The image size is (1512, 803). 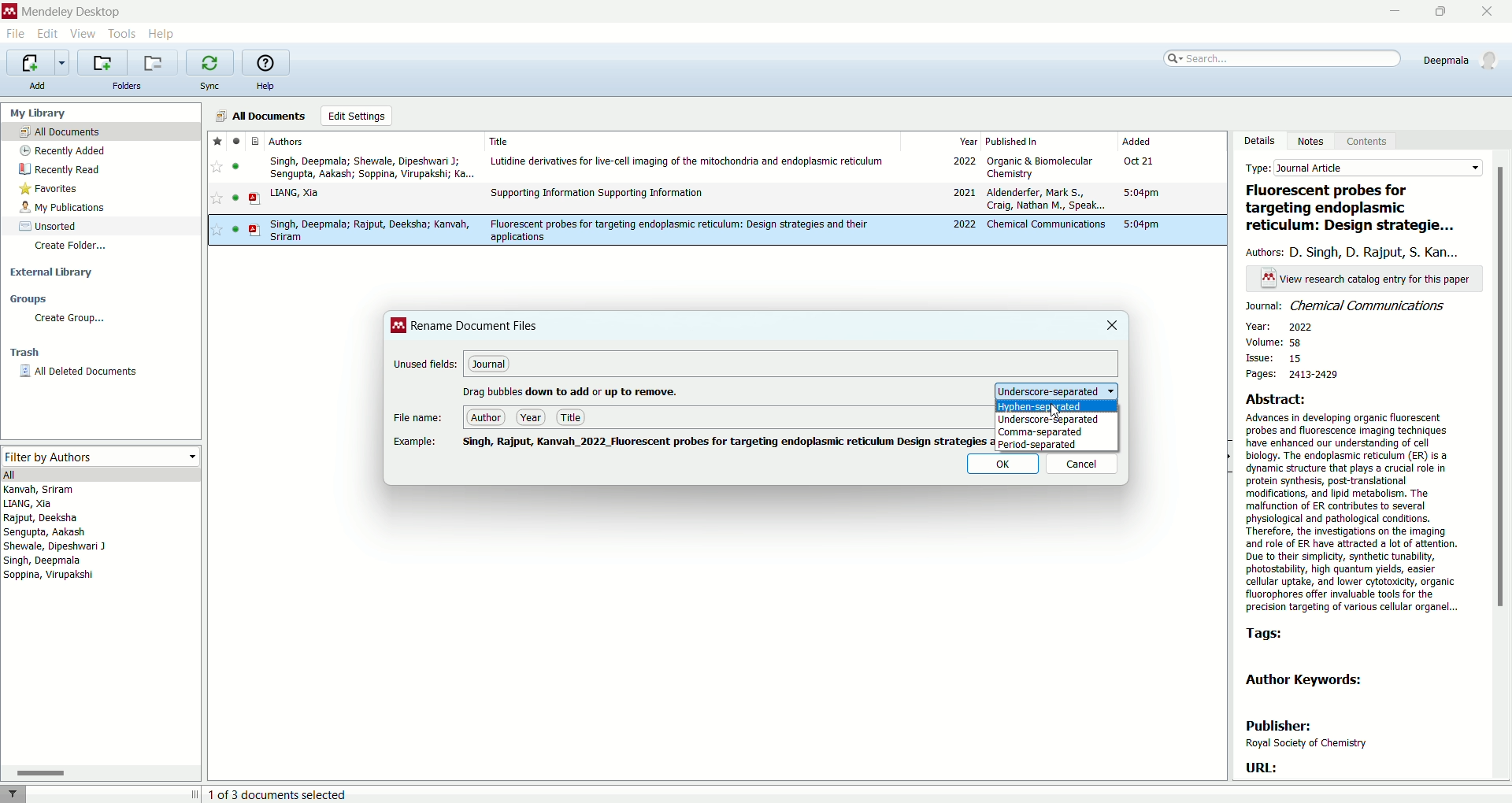 What do you see at coordinates (961, 193) in the screenshot?
I see `2021` at bounding box center [961, 193].